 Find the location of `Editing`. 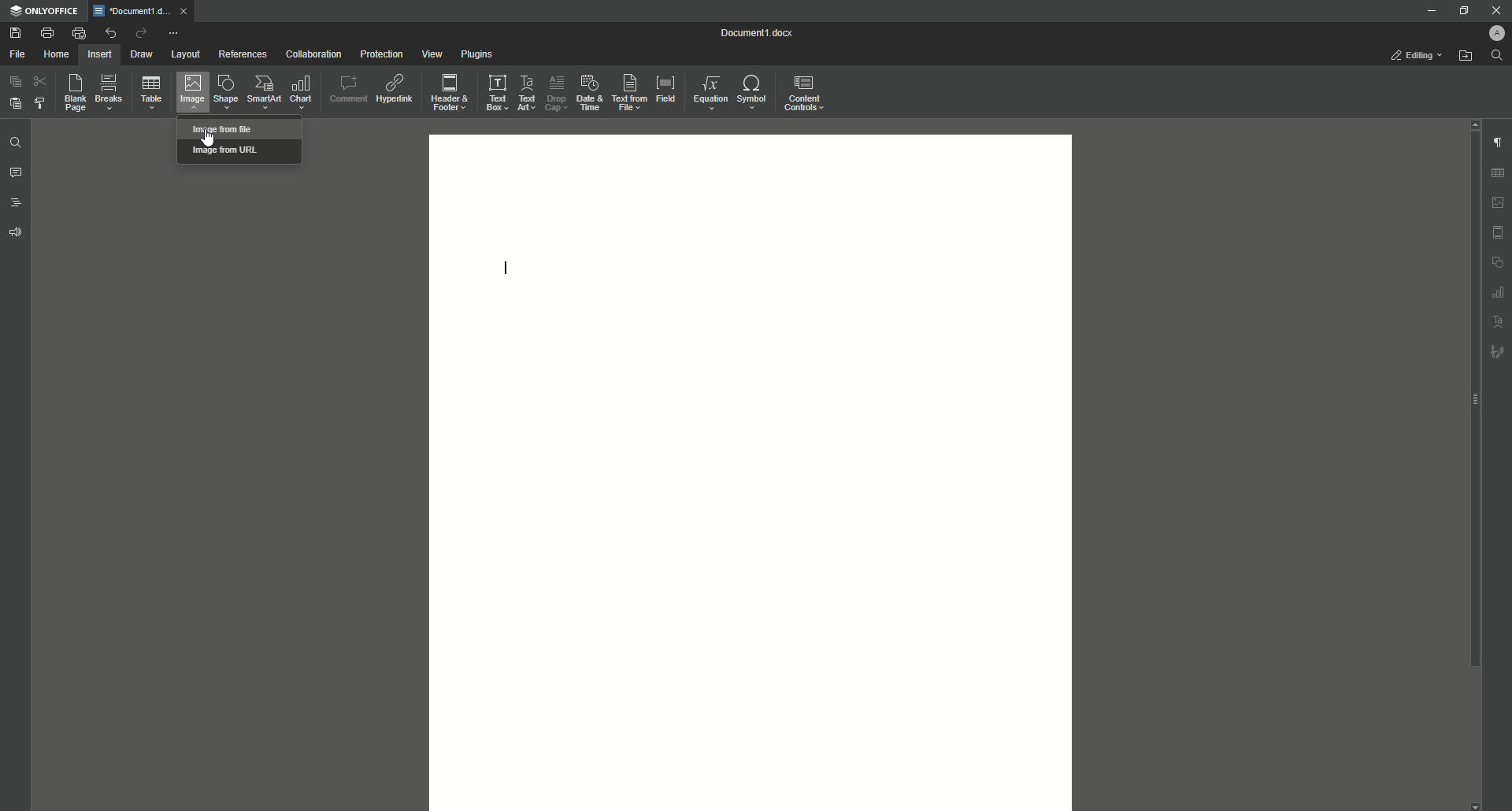

Editing is located at coordinates (1414, 54).